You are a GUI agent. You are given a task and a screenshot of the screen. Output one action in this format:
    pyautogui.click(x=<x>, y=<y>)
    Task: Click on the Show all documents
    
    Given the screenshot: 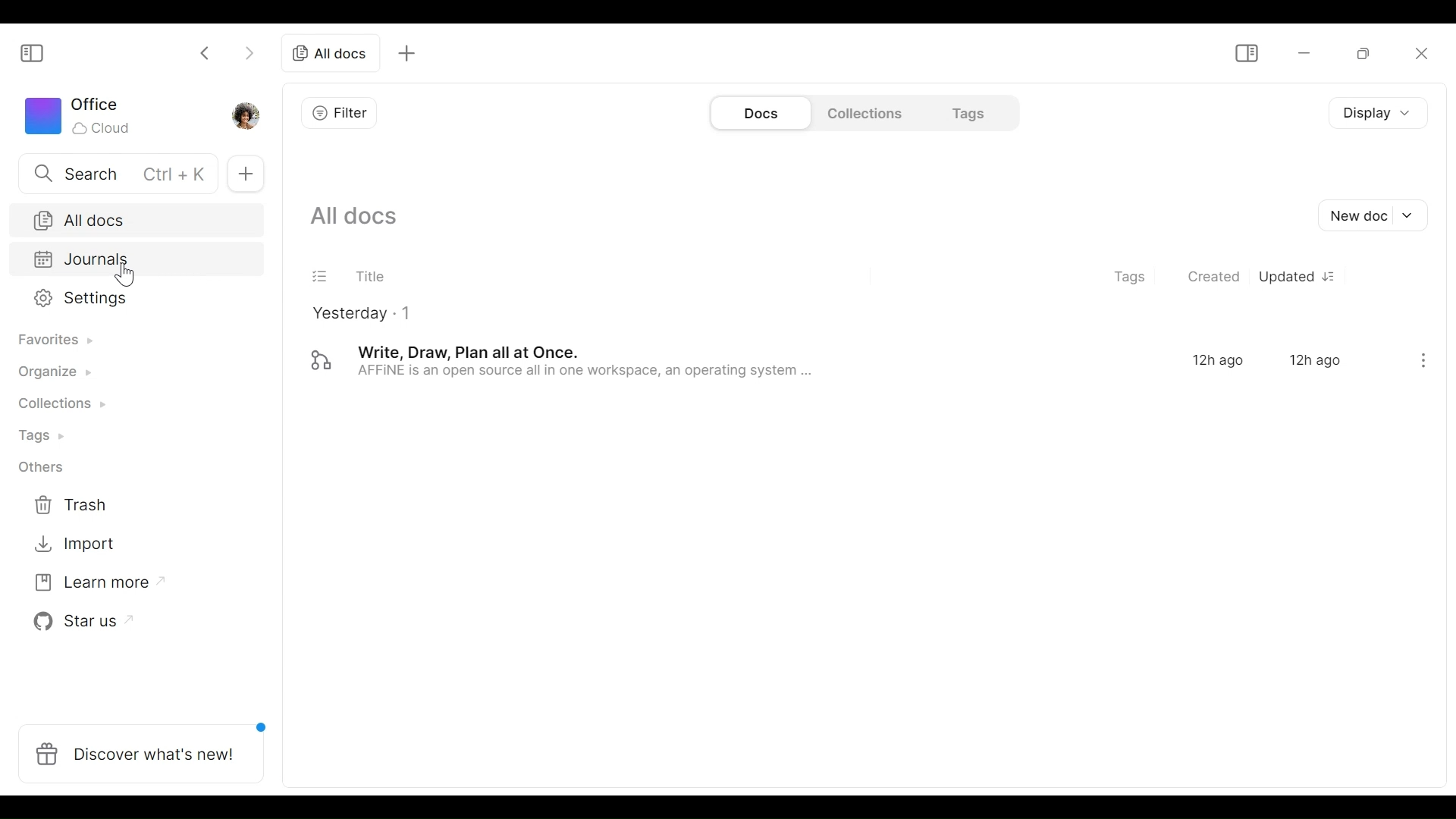 What is the action you would take?
    pyautogui.click(x=357, y=215)
    